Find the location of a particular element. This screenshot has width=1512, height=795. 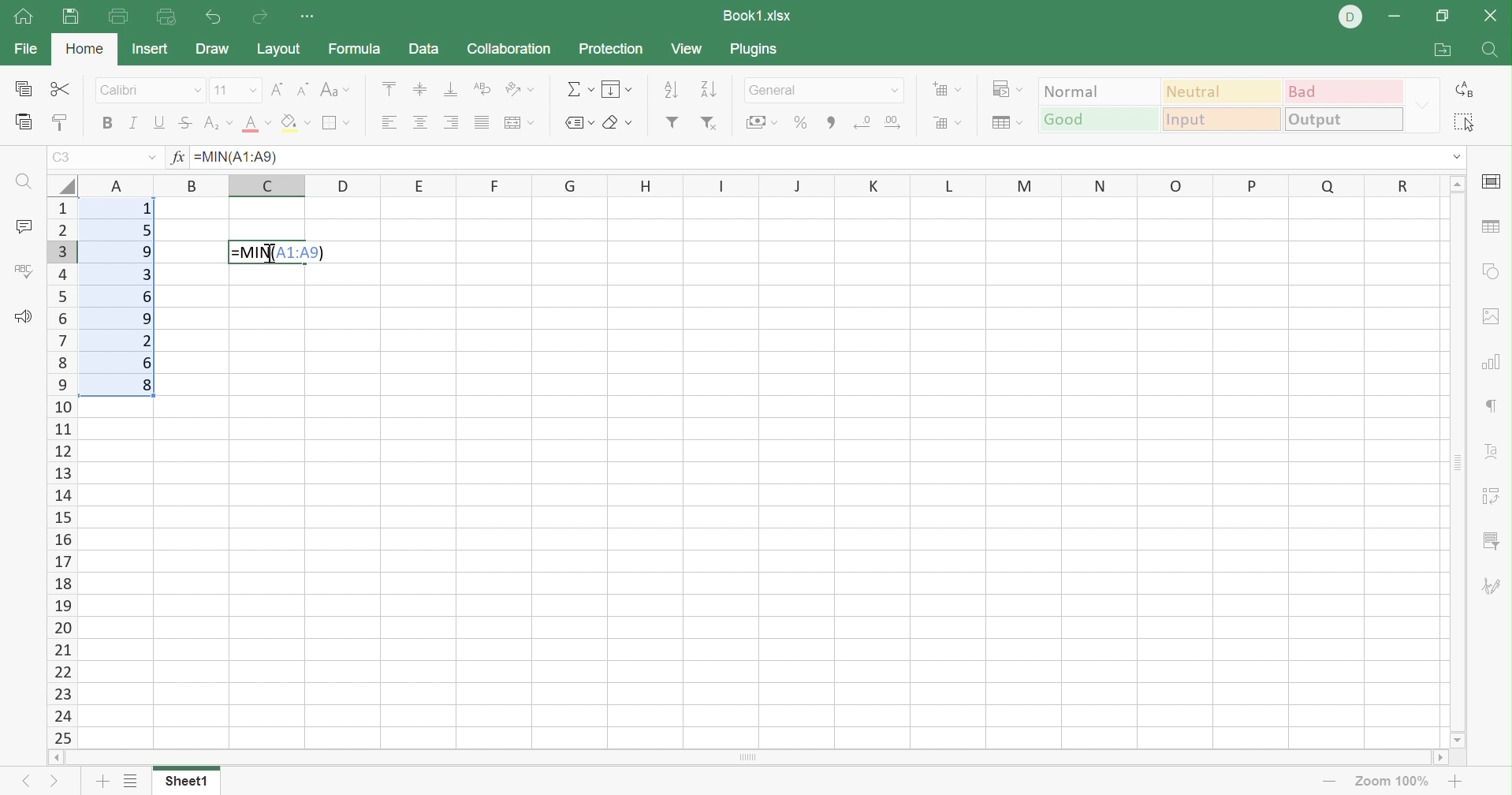

Formula is located at coordinates (363, 47).